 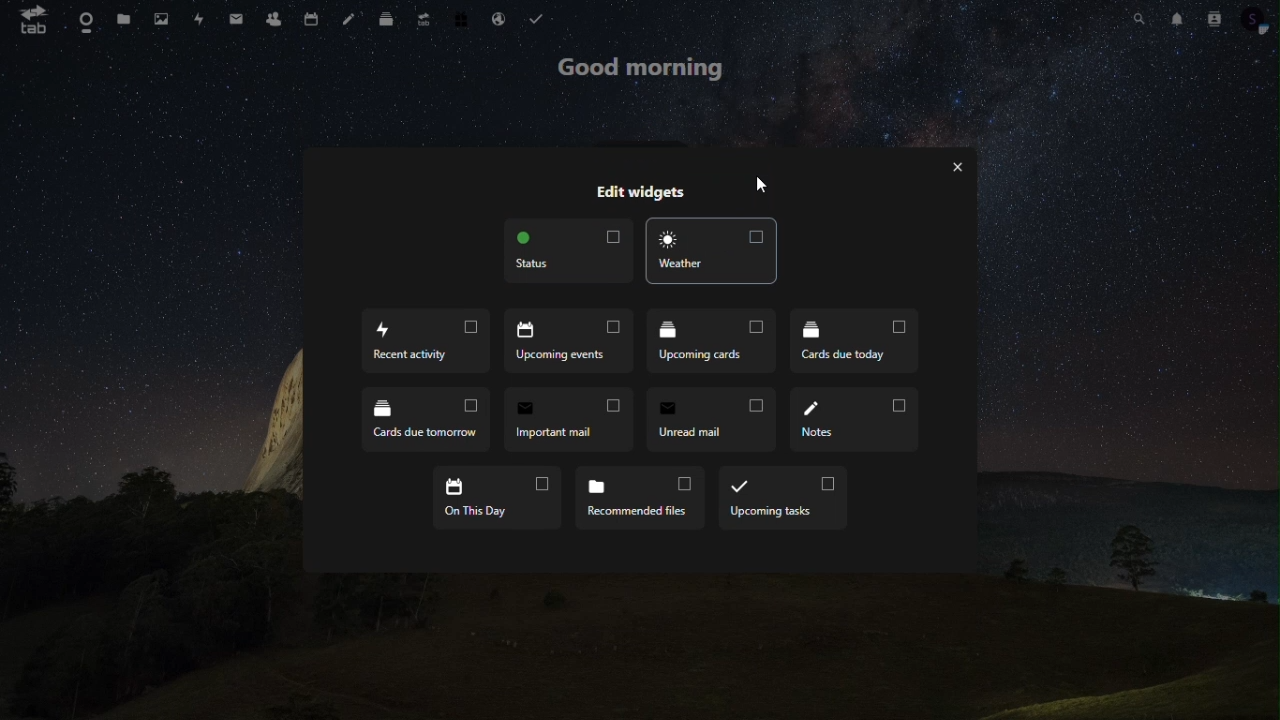 I want to click on files, so click(x=123, y=20).